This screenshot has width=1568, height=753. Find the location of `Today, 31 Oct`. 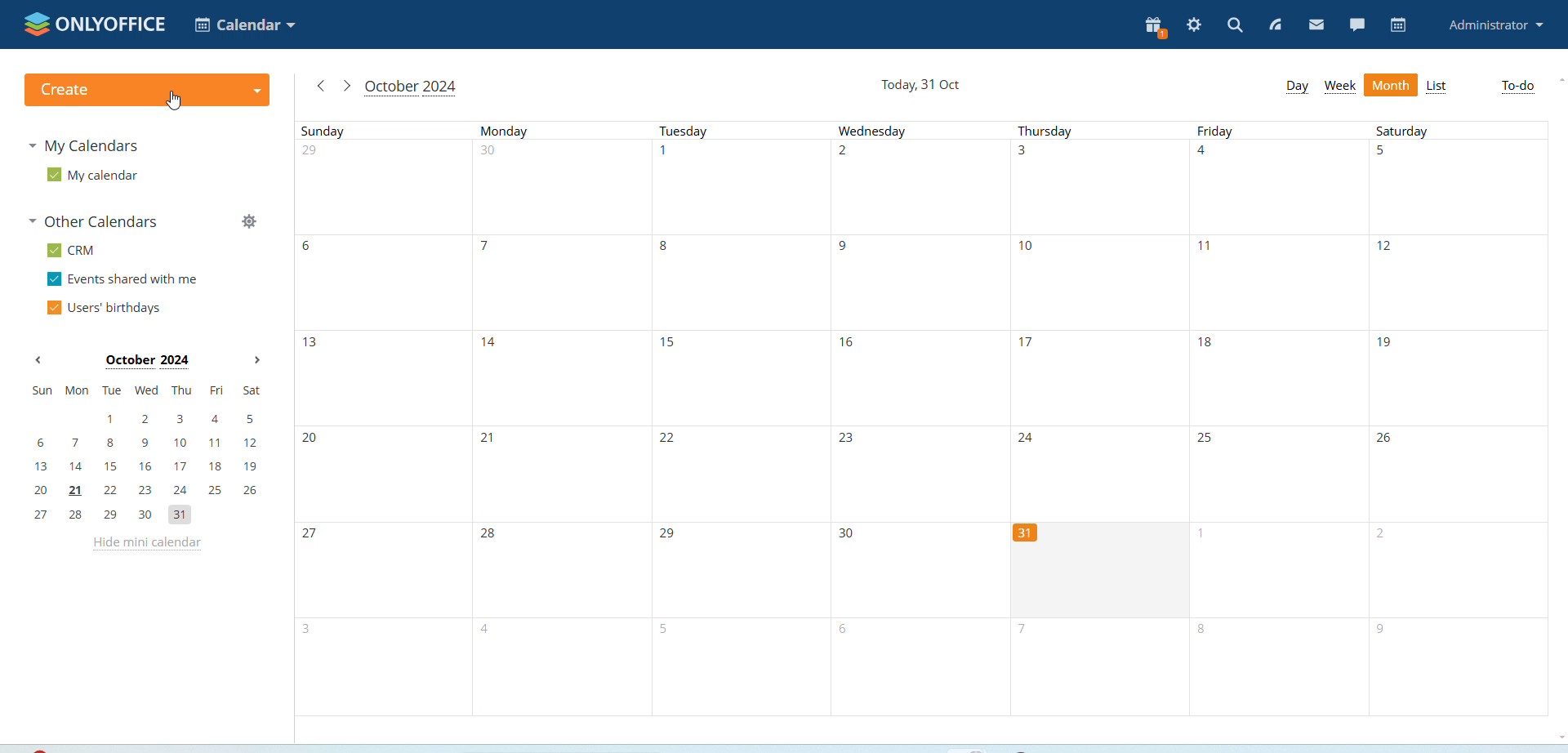

Today, 31 Oct is located at coordinates (929, 87).